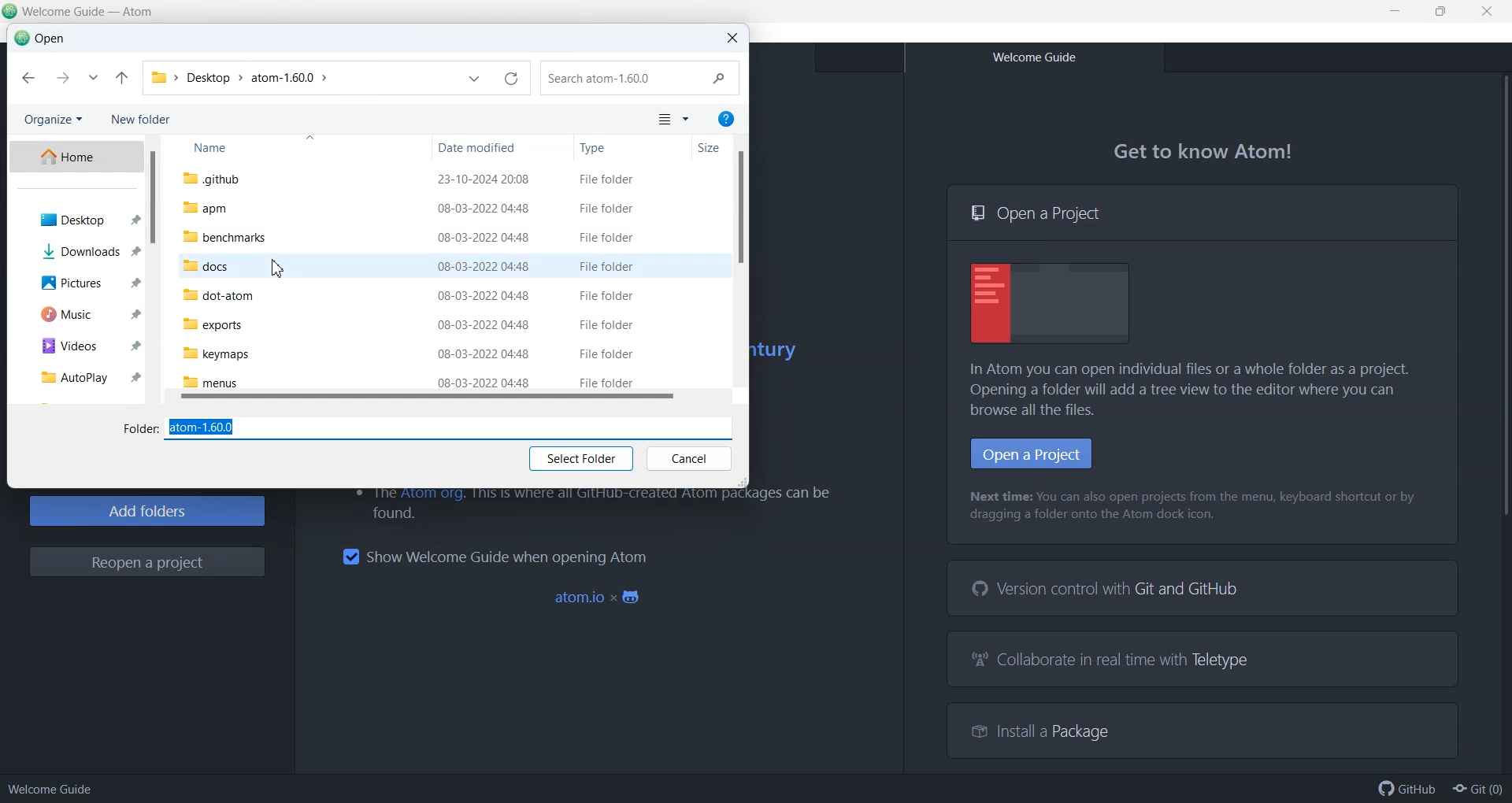 The height and width of the screenshot is (803, 1512). Describe the element at coordinates (75, 220) in the screenshot. I see `Desktop` at that location.